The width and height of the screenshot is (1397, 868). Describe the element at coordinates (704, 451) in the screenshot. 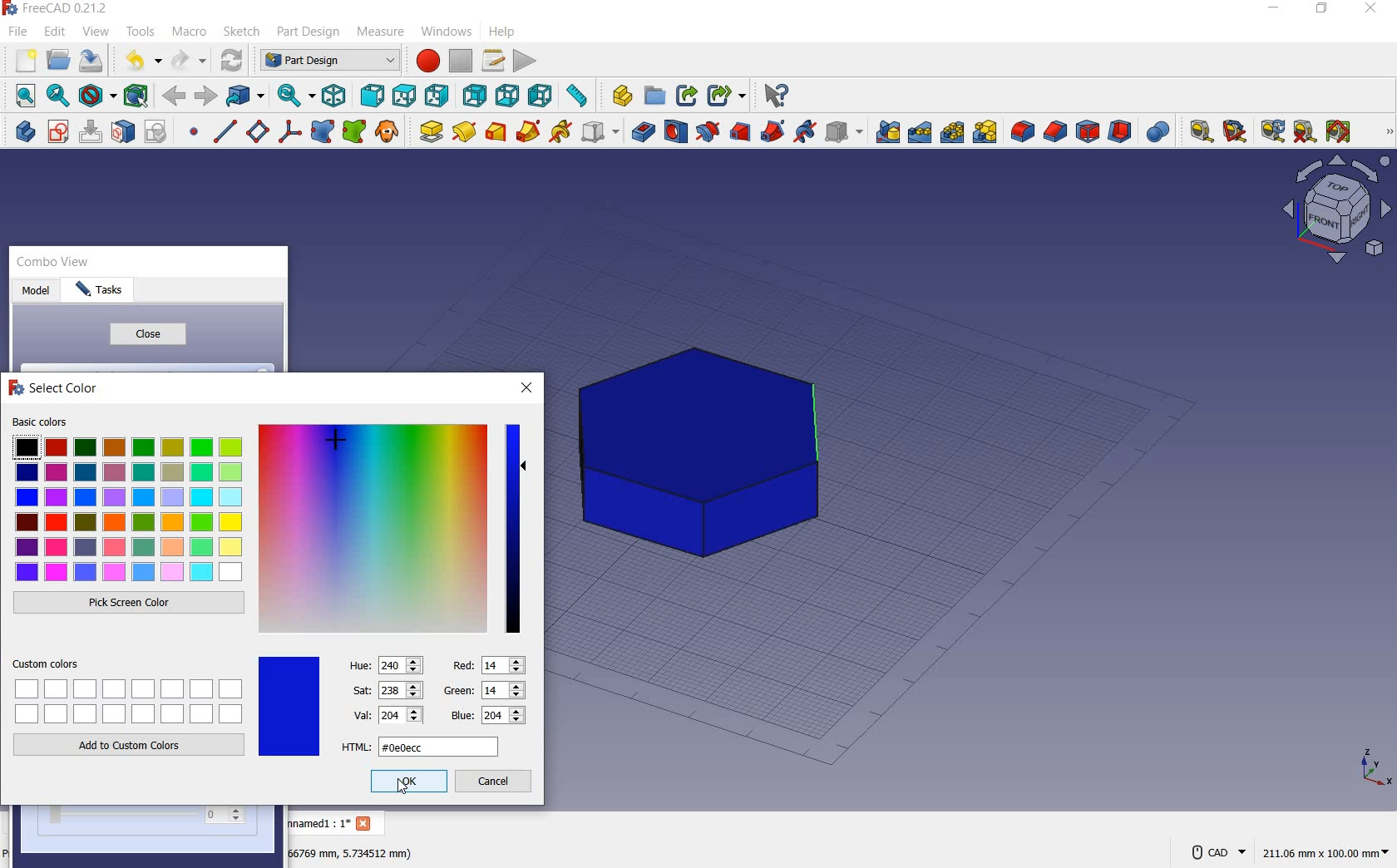

I see `shape (color changed)` at that location.